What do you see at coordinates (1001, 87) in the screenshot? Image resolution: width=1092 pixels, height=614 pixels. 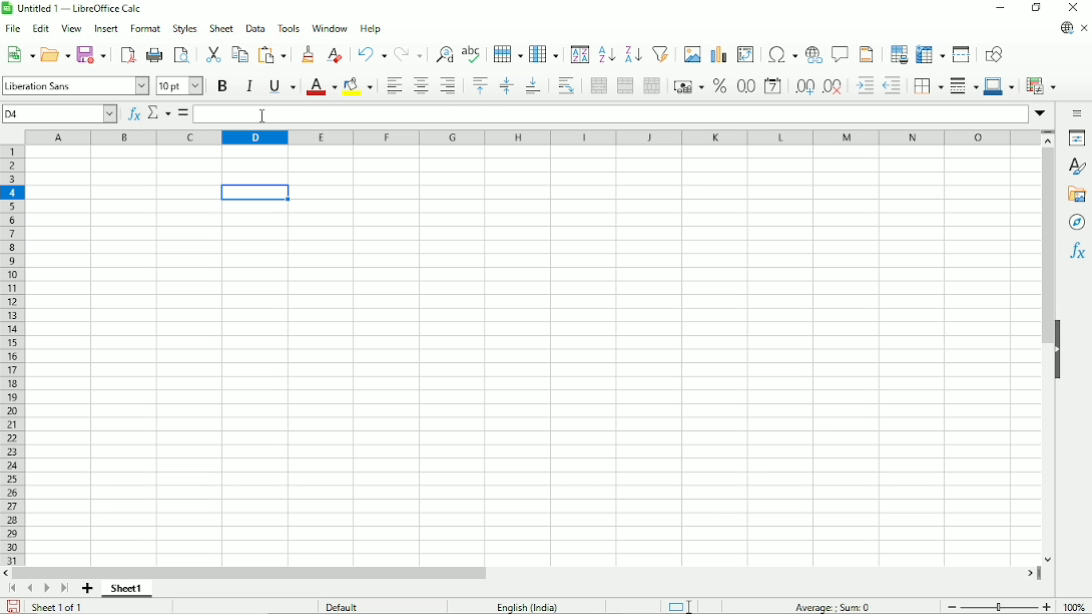 I see `Border color` at bounding box center [1001, 87].